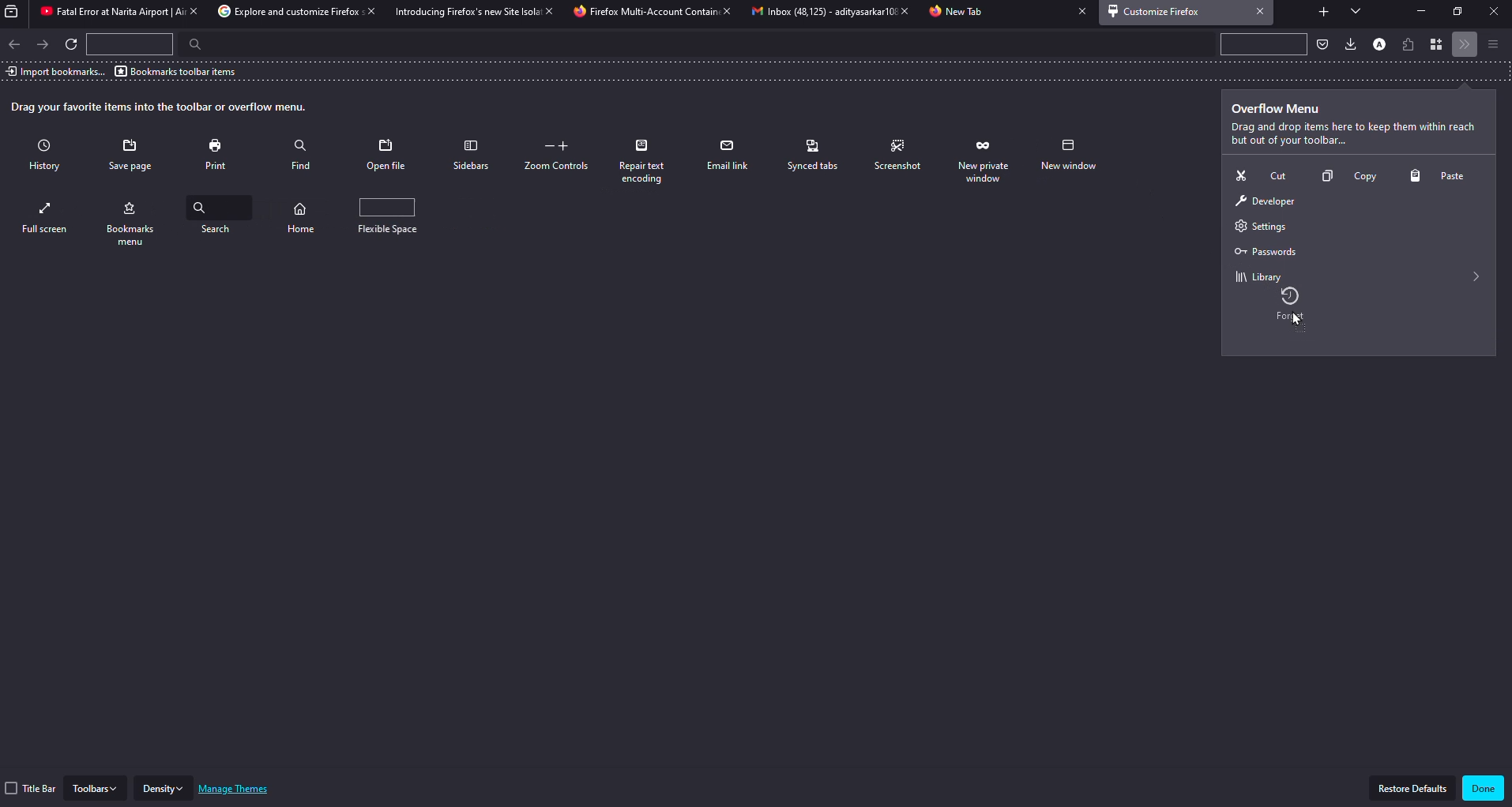 This screenshot has width=1512, height=807. What do you see at coordinates (644, 13) in the screenshot?
I see `tab` at bounding box center [644, 13].